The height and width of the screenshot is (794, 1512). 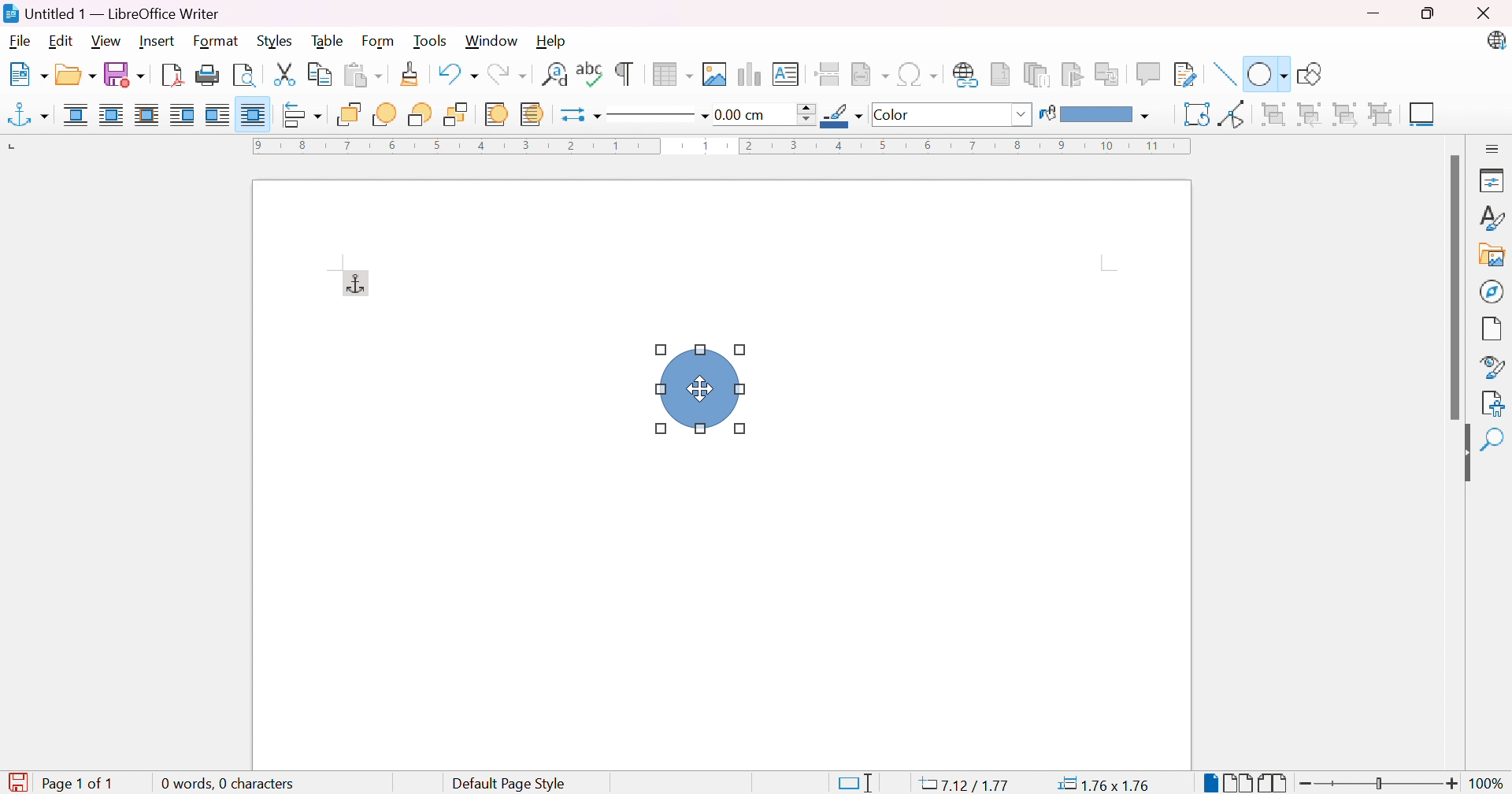 I want to click on Back one, so click(x=423, y=115).